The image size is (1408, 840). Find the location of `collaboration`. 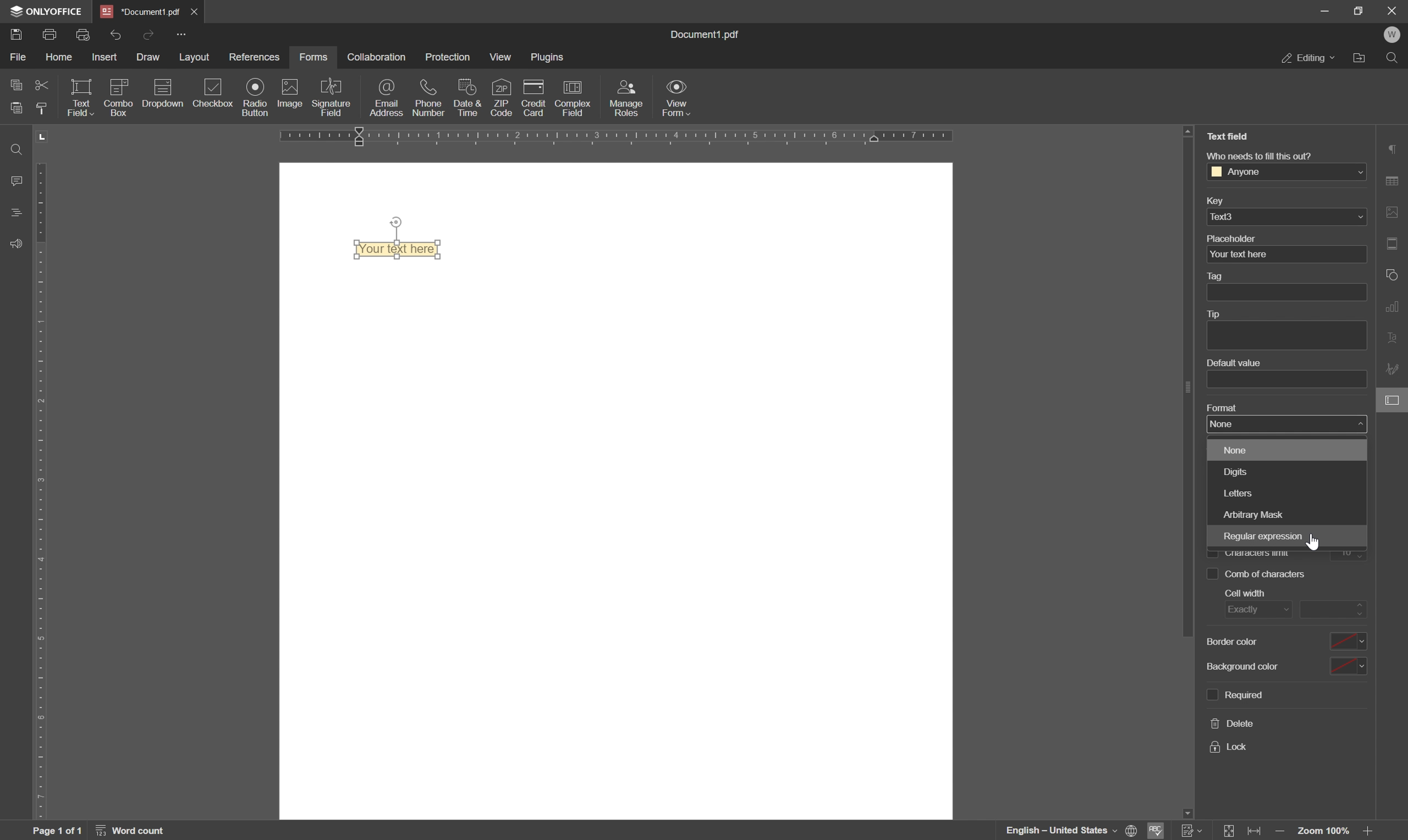

collaboration is located at coordinates (375, 57).